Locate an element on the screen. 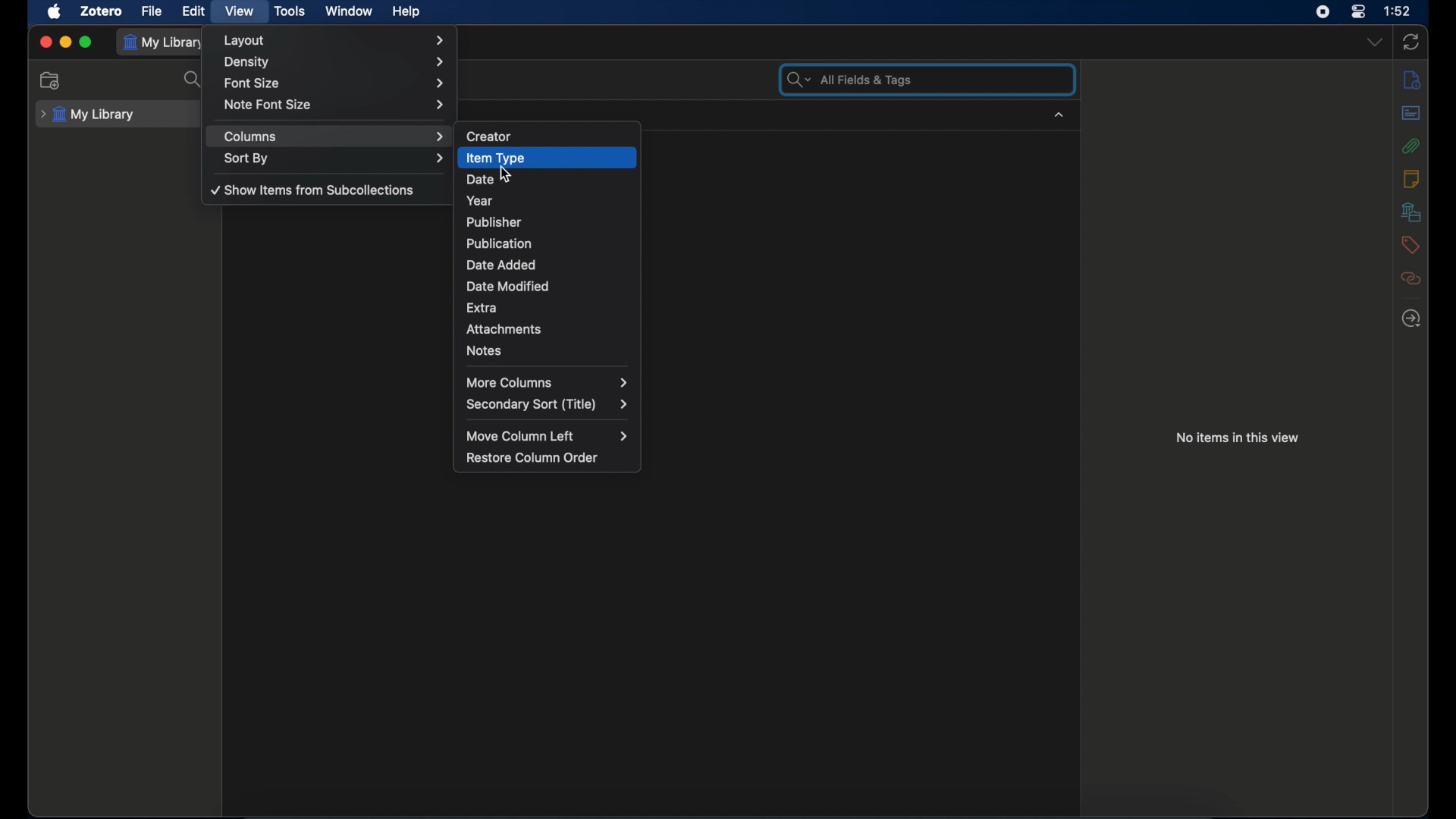 This screenshot has height=819, width=1456. control center is located at coordinates (1359, 11).